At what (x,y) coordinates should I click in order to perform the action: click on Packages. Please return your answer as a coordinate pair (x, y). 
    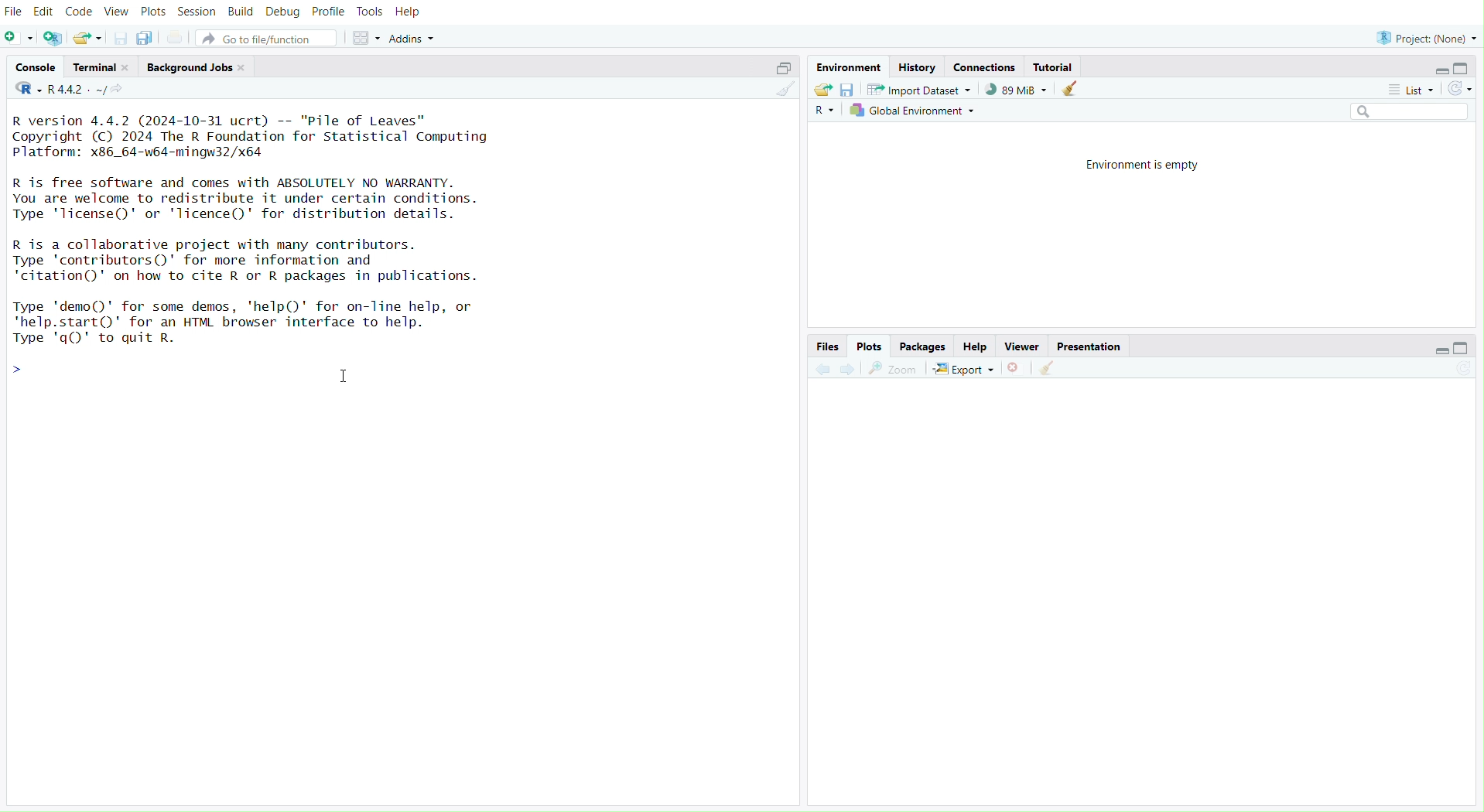
    Looking at the image, I should click on (922, 346).